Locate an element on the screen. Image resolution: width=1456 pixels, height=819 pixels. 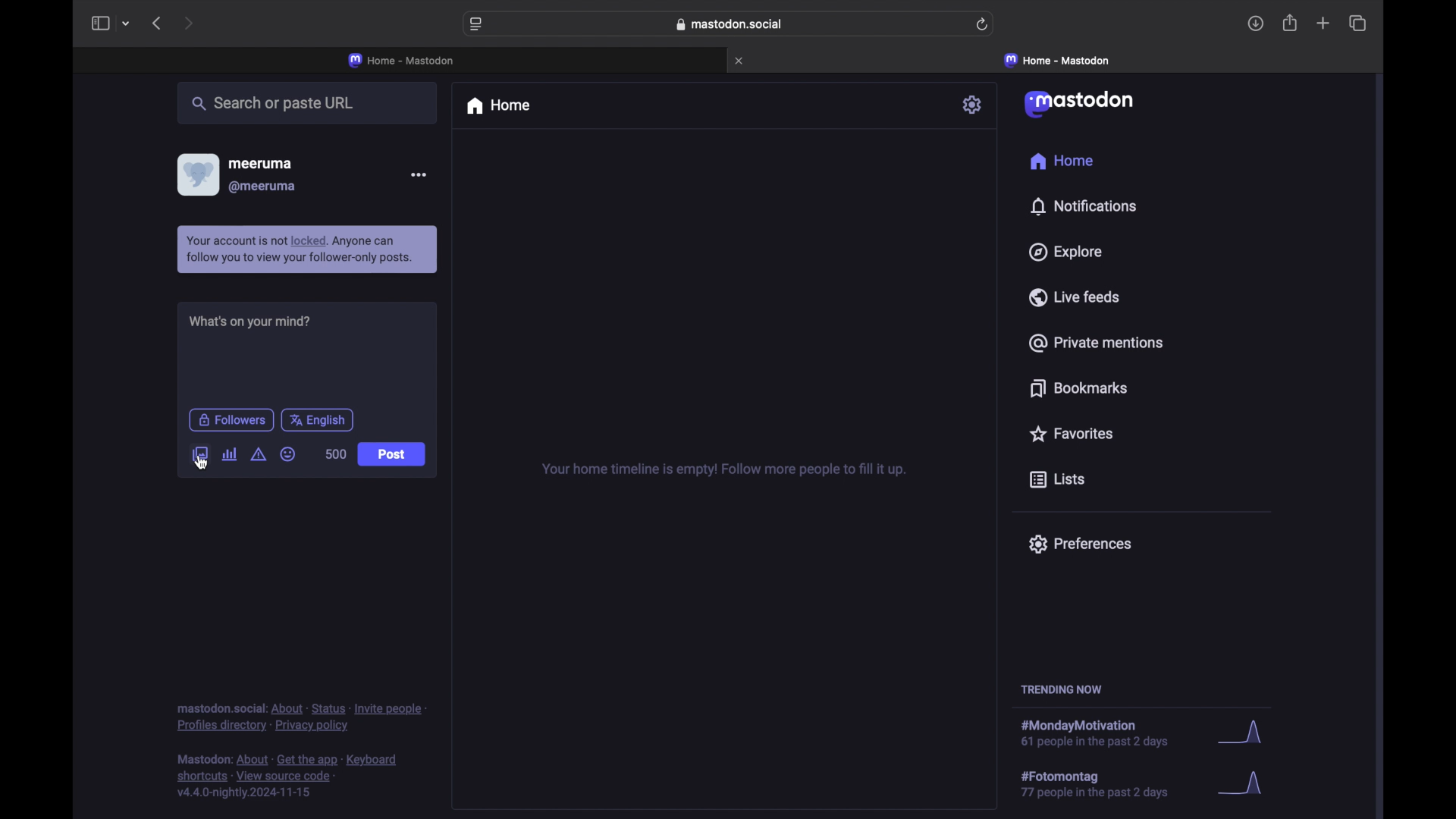
web address is located at coordinates (730, 24).